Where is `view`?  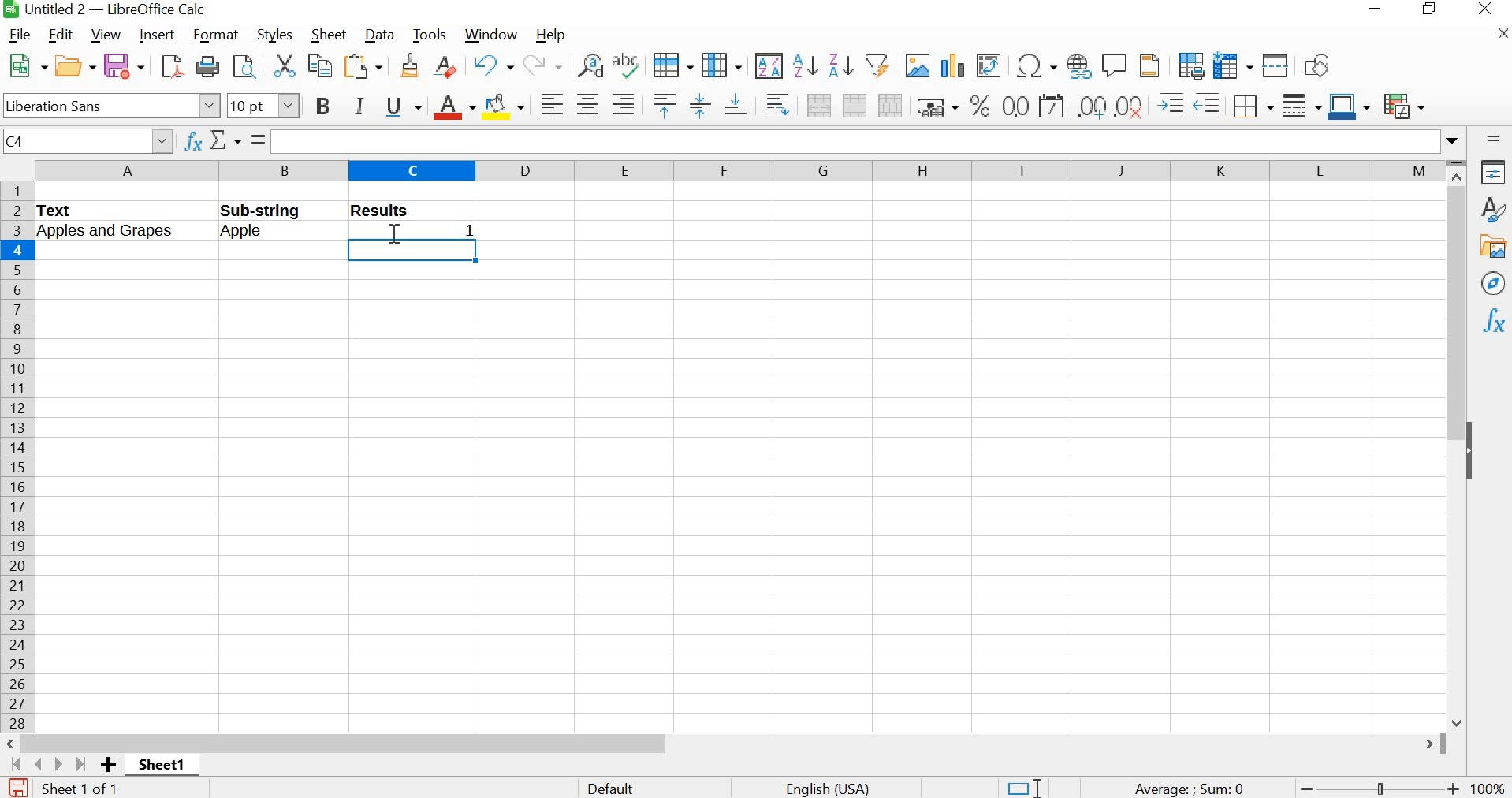 view is located at coordinates (103, 34).